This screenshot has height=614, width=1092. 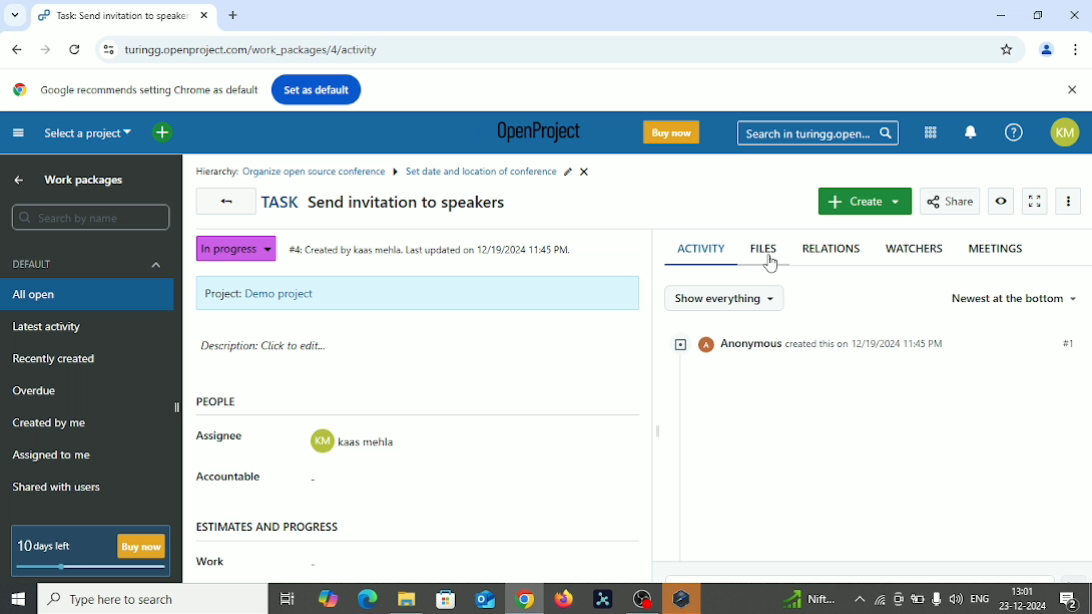 What do you see at coordinates (417, 293) in the screenshot?
I see `Project` at bounding box center [417, 293].